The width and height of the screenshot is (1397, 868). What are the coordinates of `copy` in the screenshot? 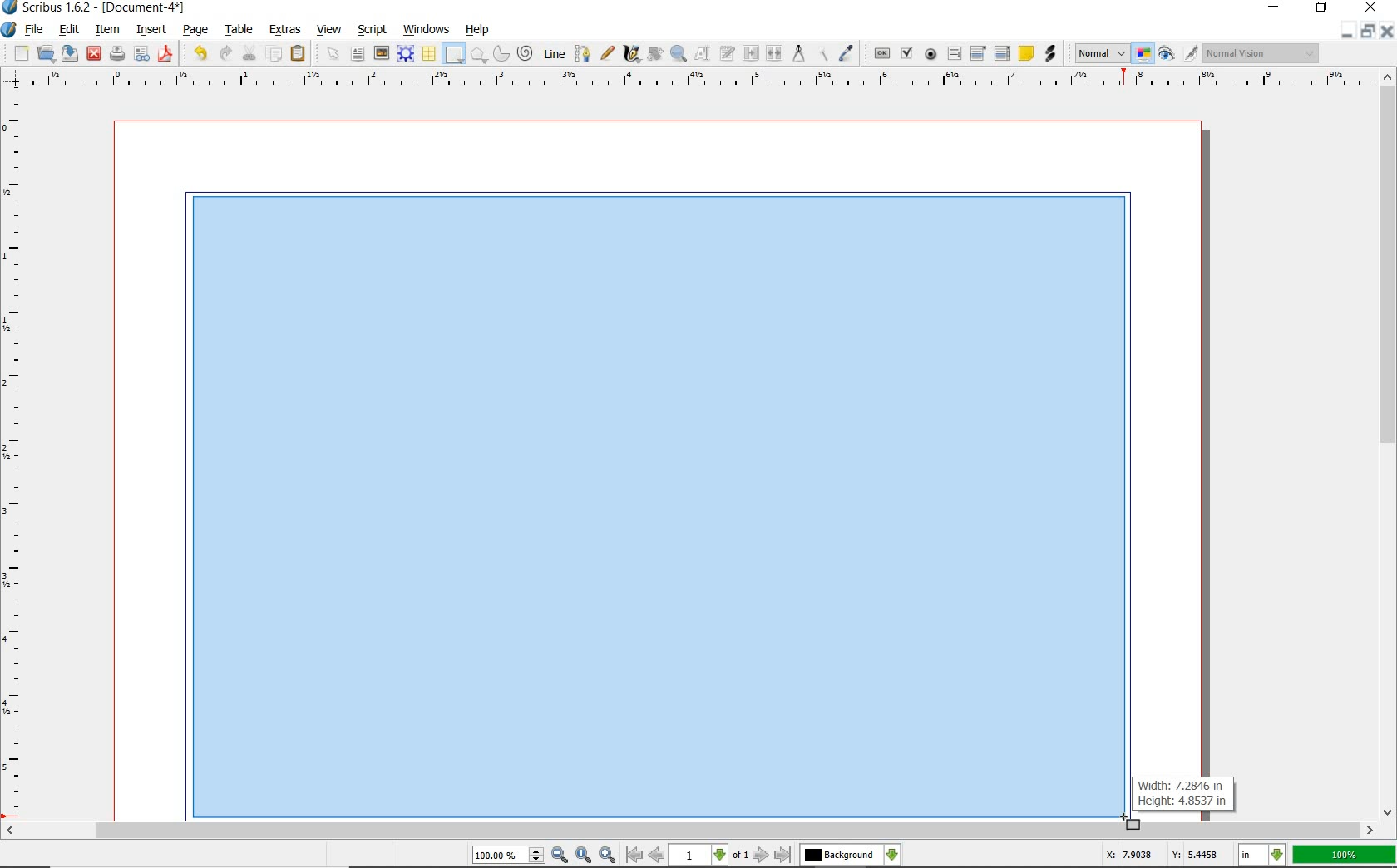 It's located at (275, 54).